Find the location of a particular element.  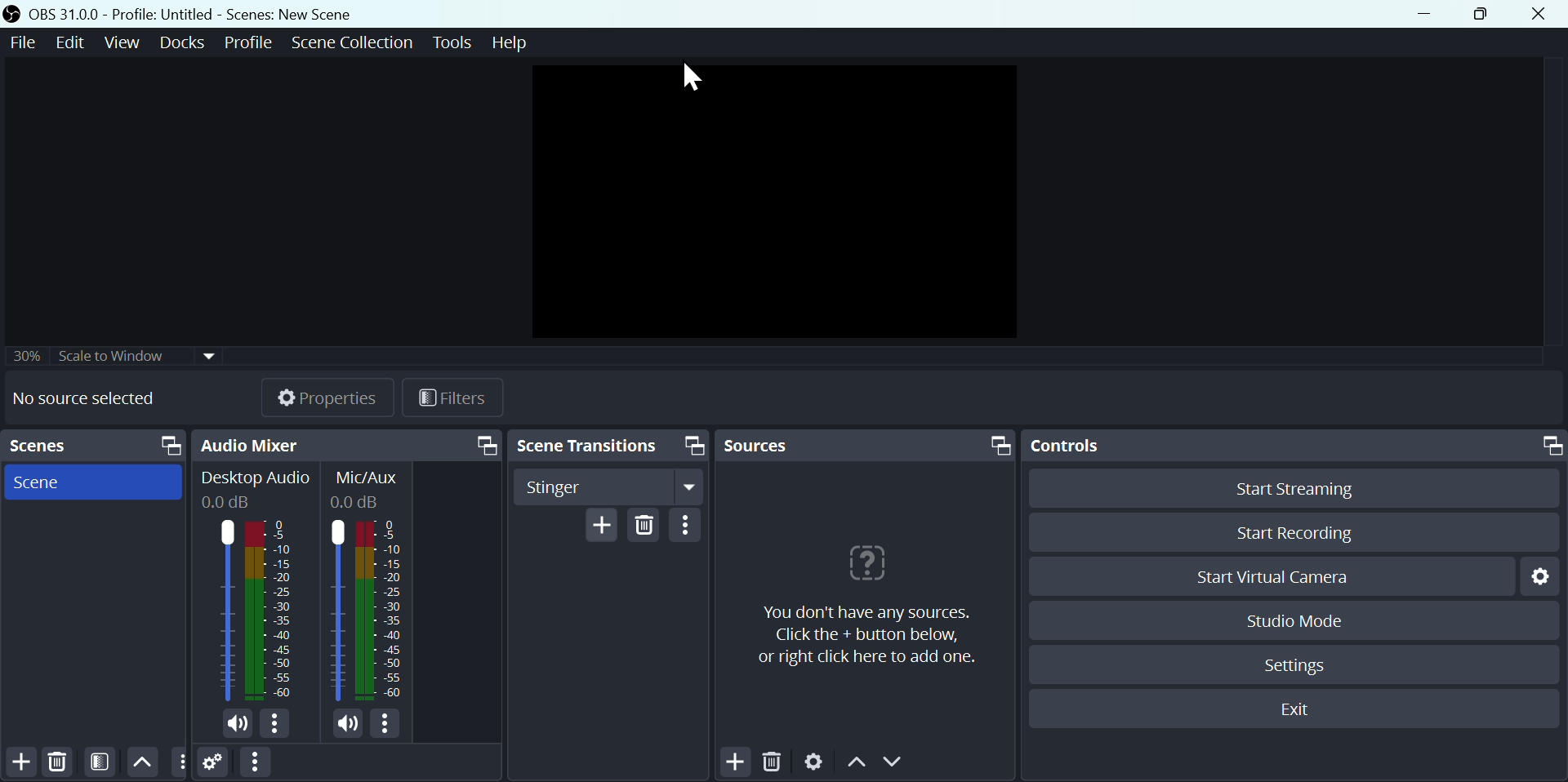

OBS 31.0.0 - Profile: untitled scenes: new scene is located at coordinates (185, 13).